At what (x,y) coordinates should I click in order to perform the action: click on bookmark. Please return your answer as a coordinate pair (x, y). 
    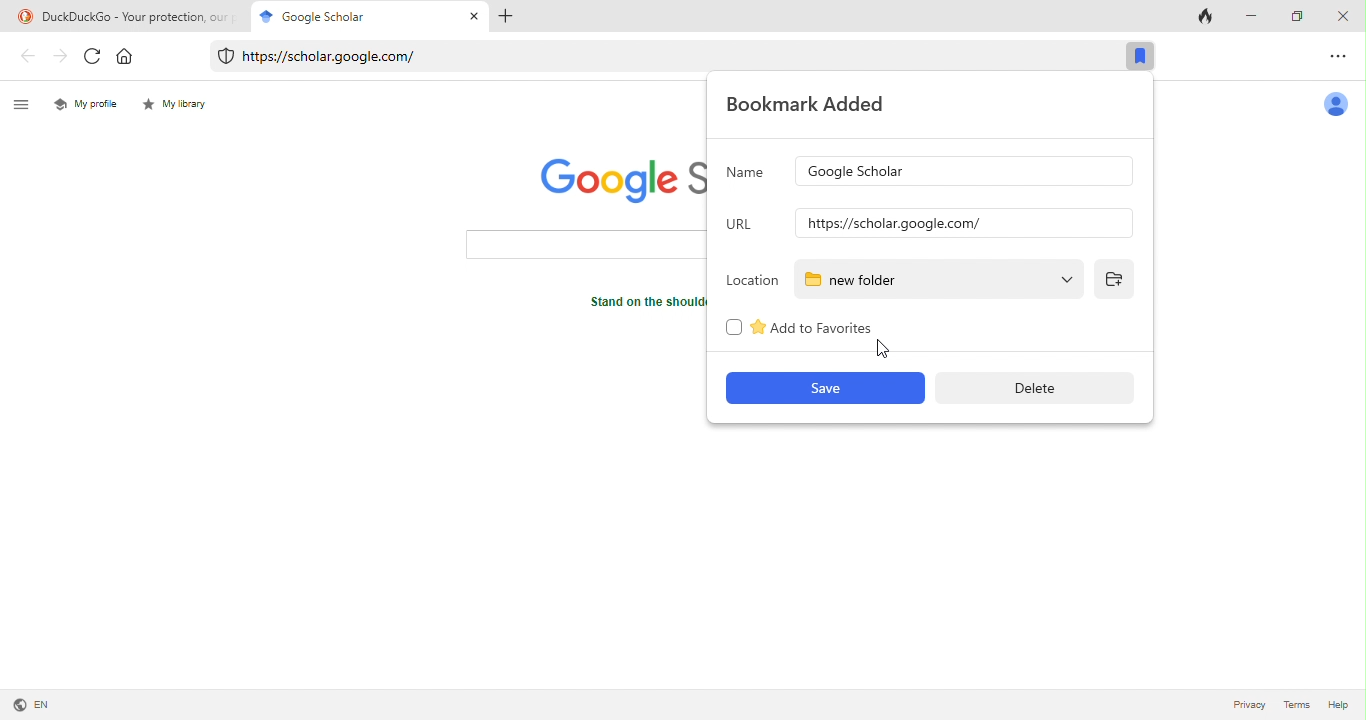
    Looking at the image, I should click on (1140, 57).